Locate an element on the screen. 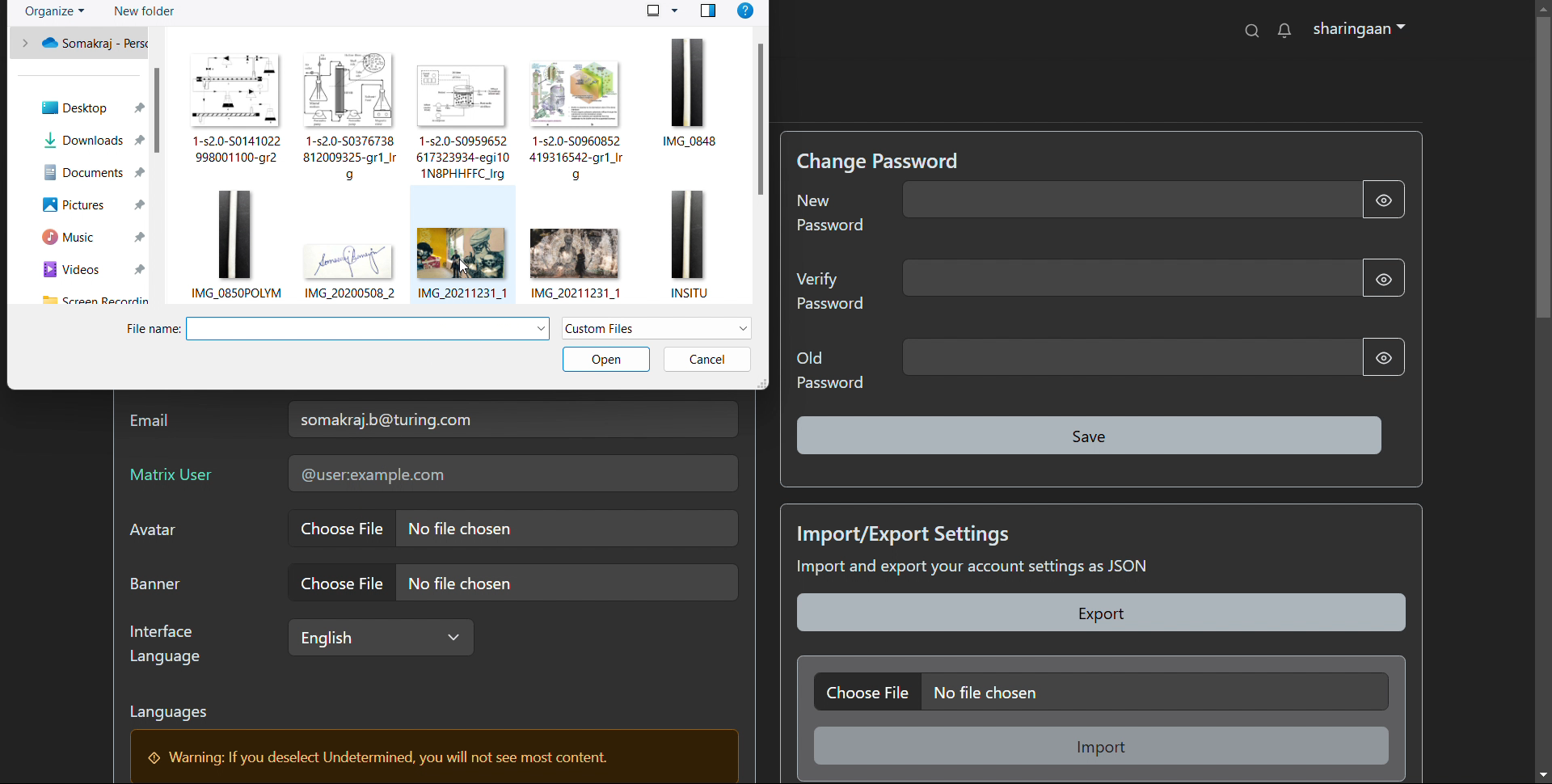 The image size is (1552, 784). verify password is located at coordinates (1128, 278).